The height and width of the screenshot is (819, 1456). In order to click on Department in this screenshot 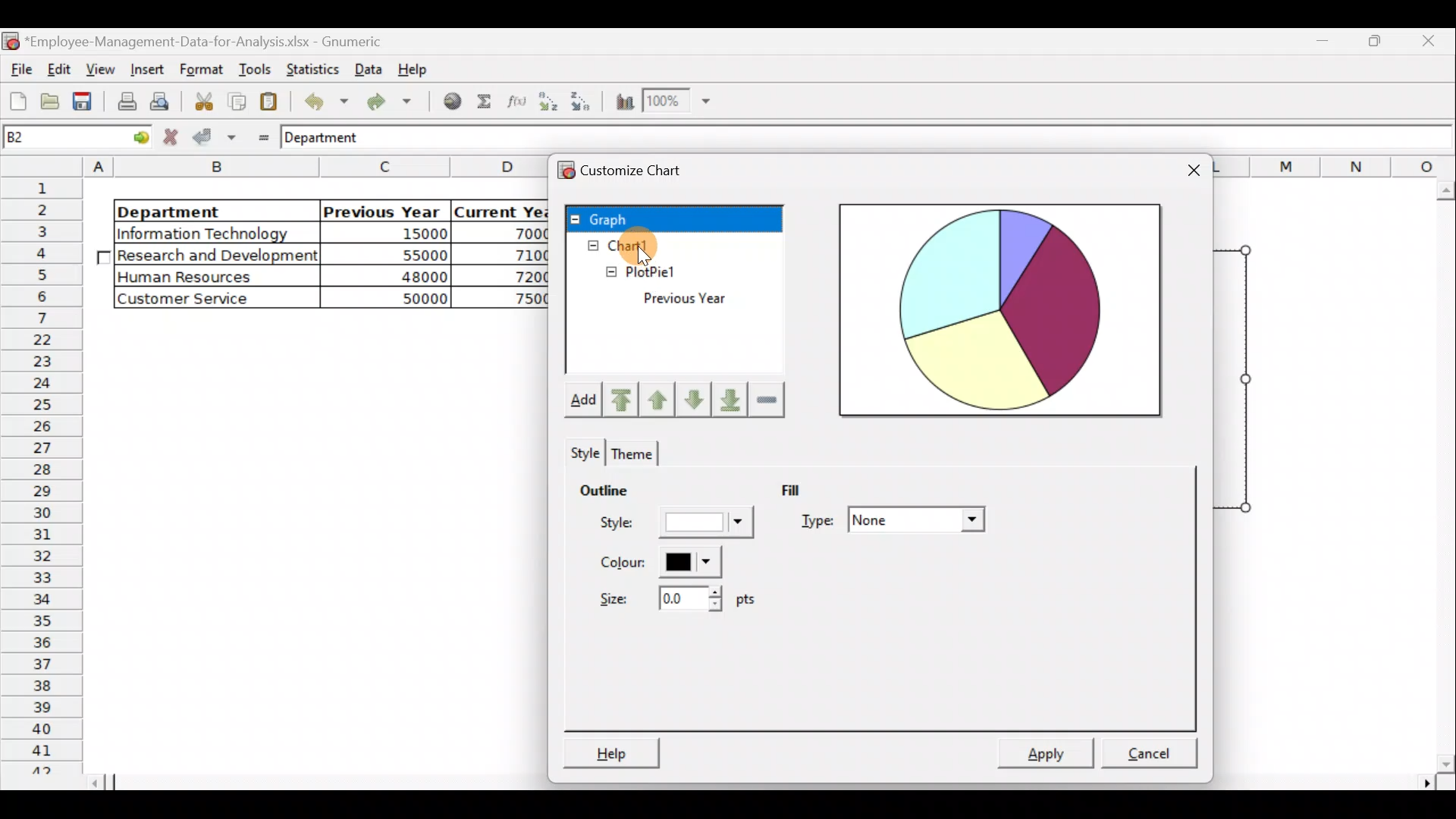, I will do `click(334, 139)`.